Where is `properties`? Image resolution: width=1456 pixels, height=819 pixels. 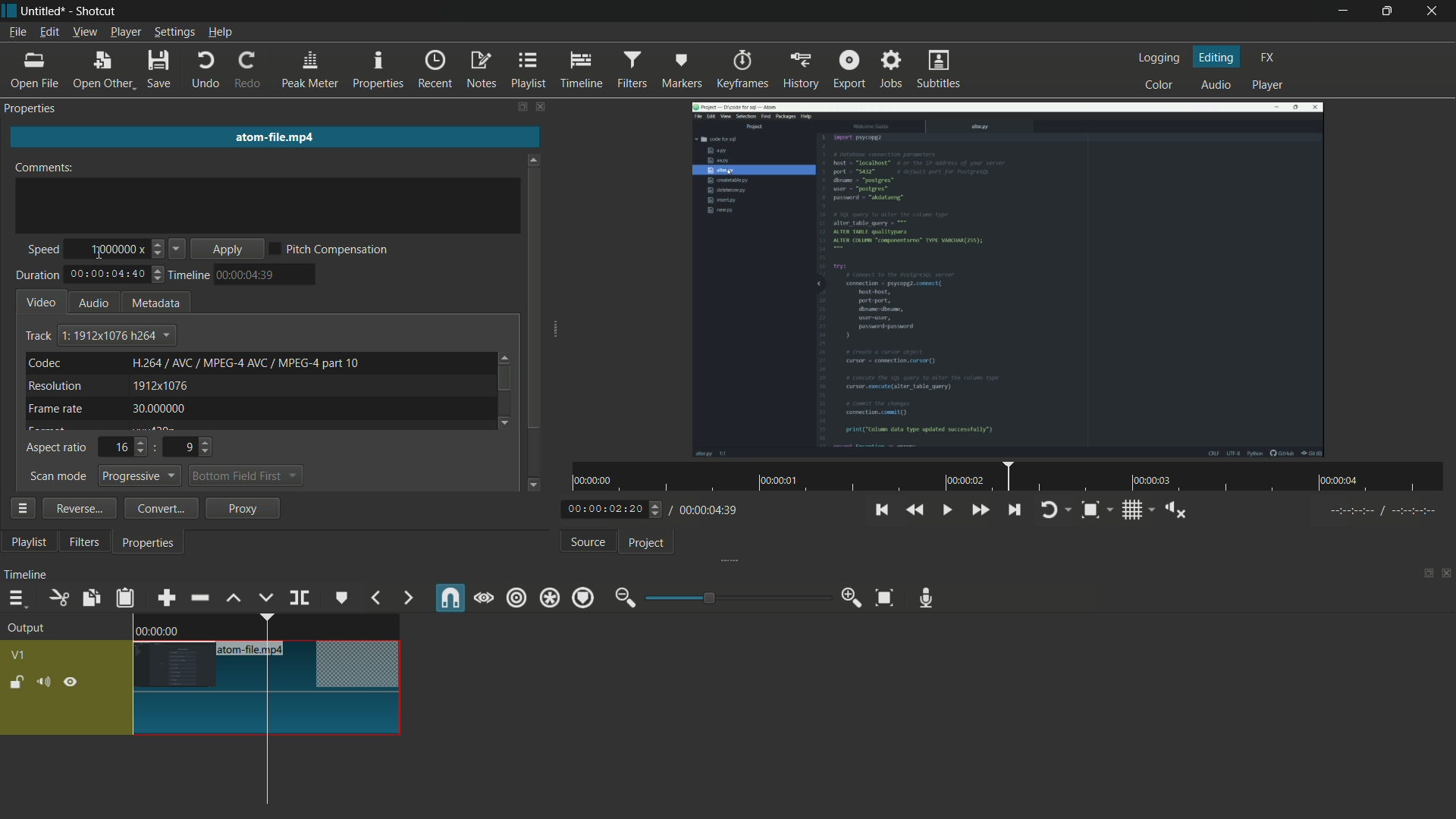
properties is located at coordinates (377, 71).